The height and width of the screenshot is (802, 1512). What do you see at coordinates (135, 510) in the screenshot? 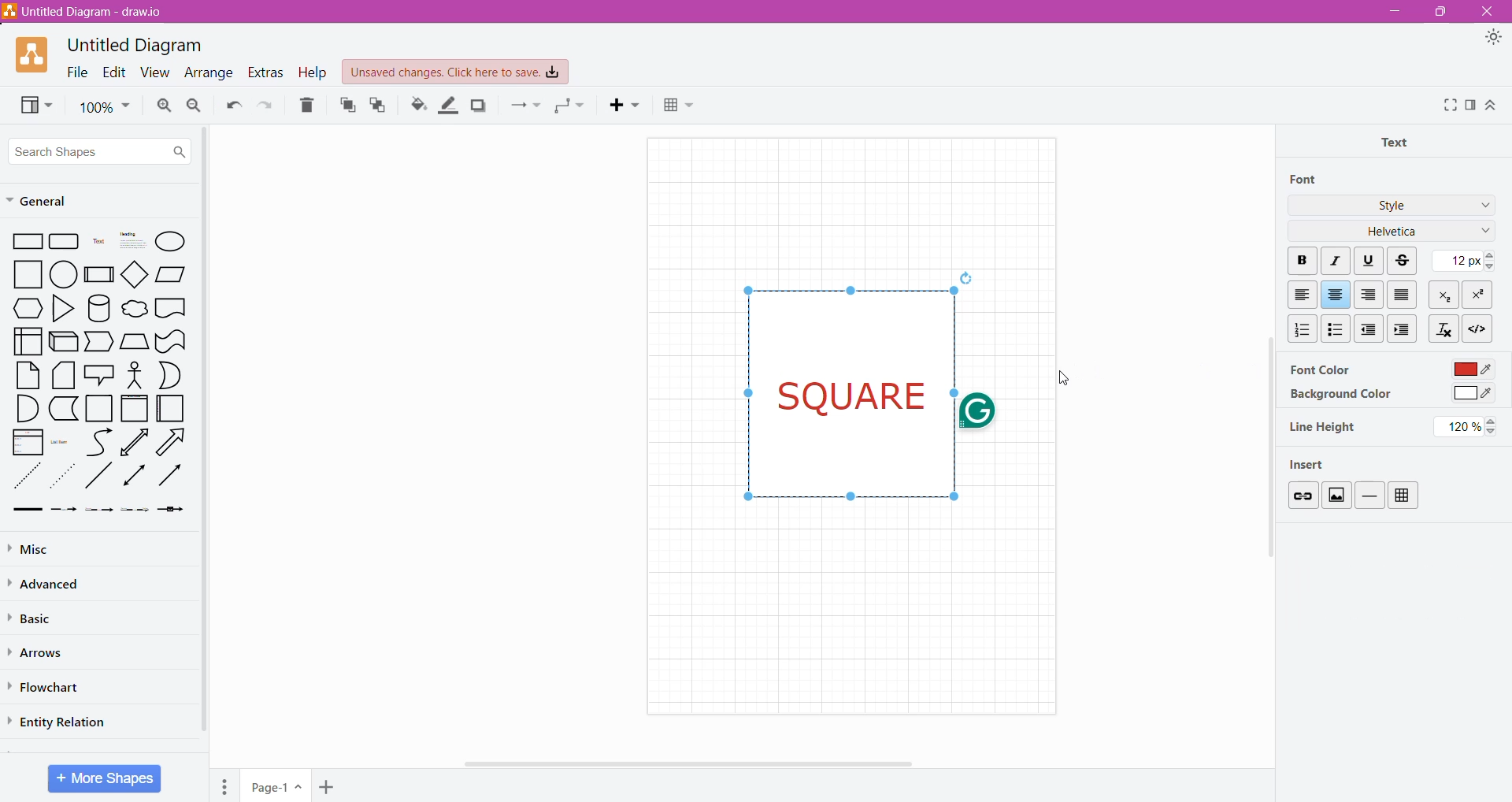
I see `Dotted Arrow ` at bounding box center [135, 510].